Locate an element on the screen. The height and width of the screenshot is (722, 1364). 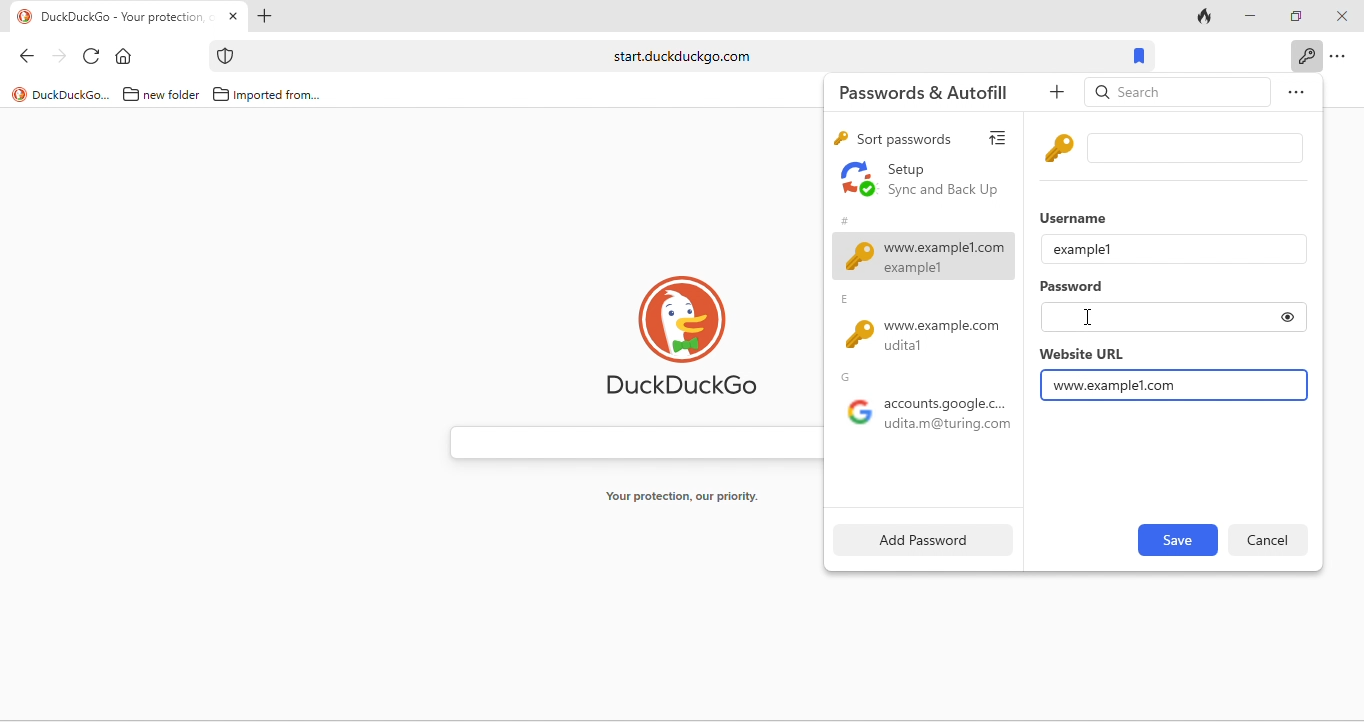
search is located at coordinates (1178, 94).